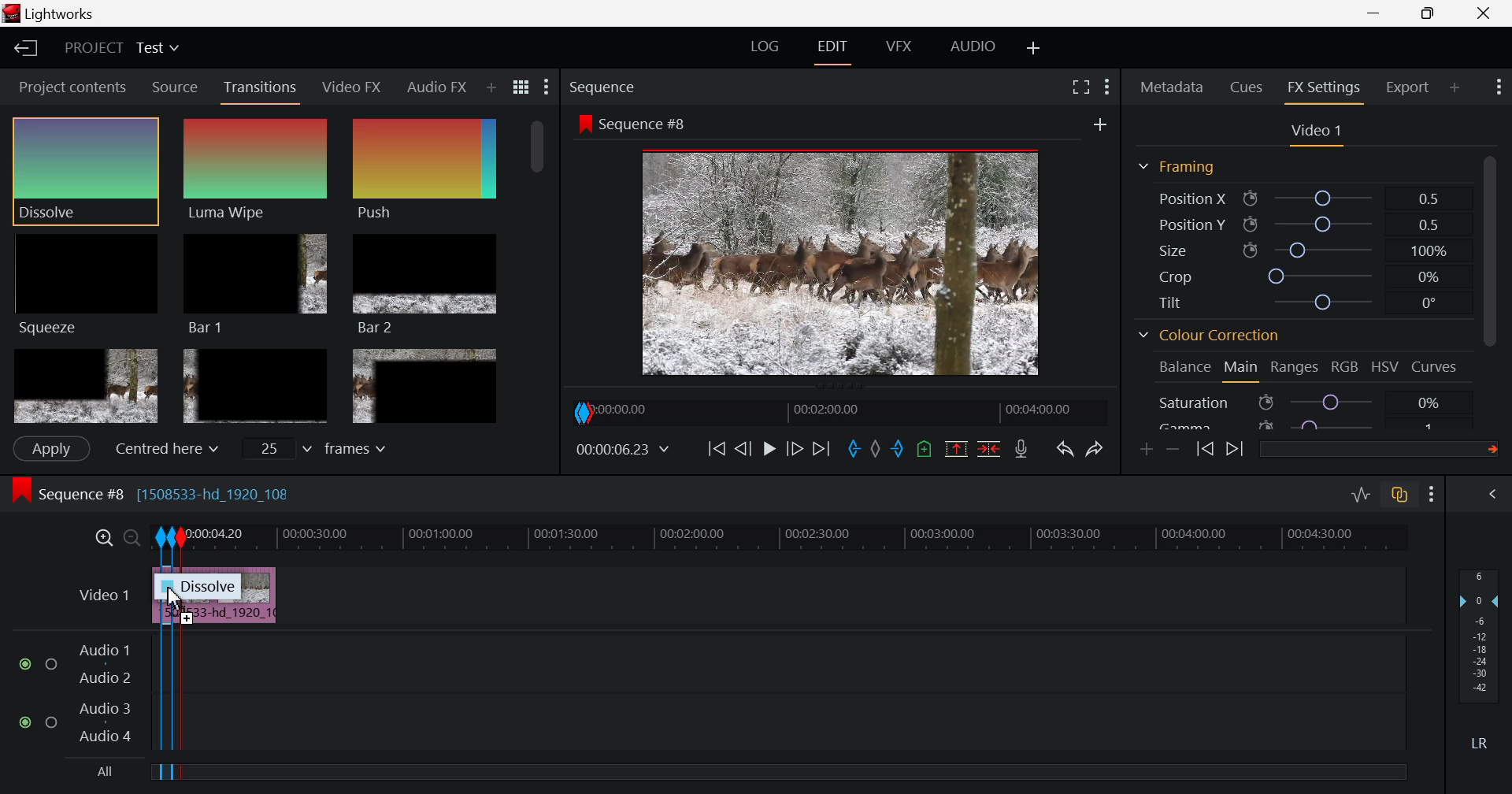  Describe the element at coordinates (539, 270) in the screenshot. I see `Scroll Bar` at that location.